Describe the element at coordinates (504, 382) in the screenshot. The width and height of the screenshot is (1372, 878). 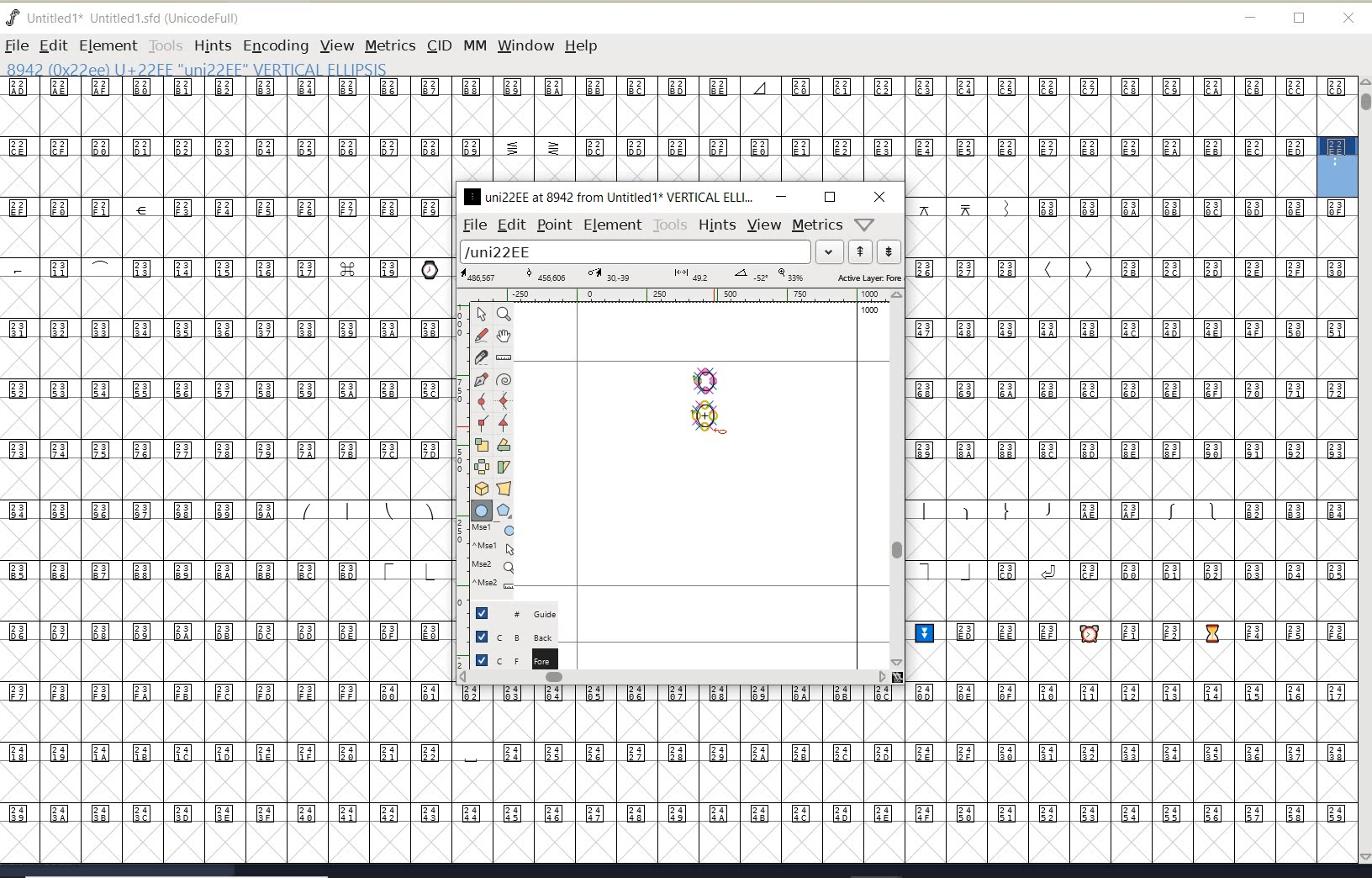
I see `change whether spiro is active or not` at that location.